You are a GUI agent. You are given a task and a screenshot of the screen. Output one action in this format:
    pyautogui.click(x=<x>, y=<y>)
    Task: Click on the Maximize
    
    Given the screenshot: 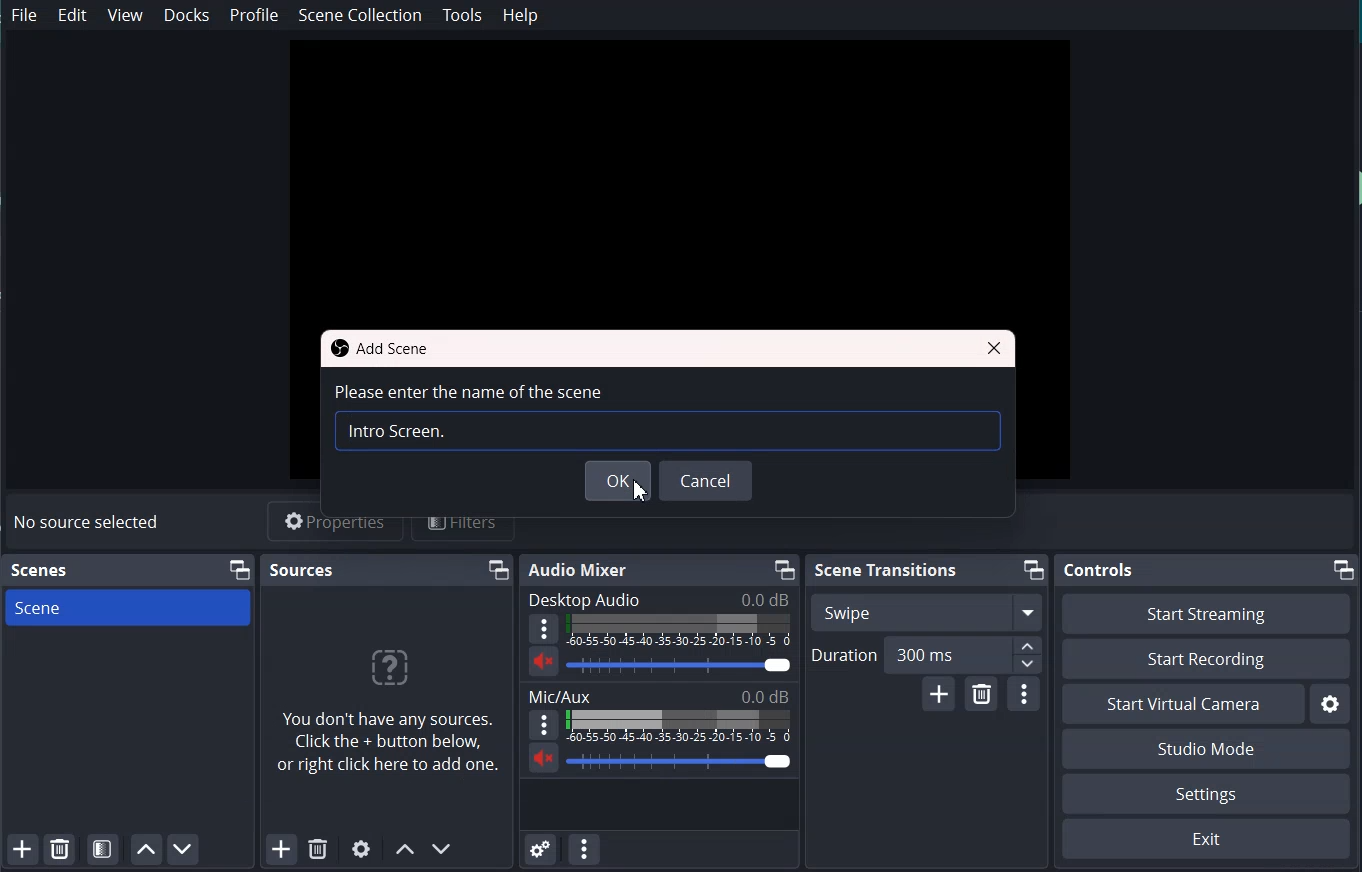 What is the action you would take?
    pyautogui.click(x=1345, y=569)
    